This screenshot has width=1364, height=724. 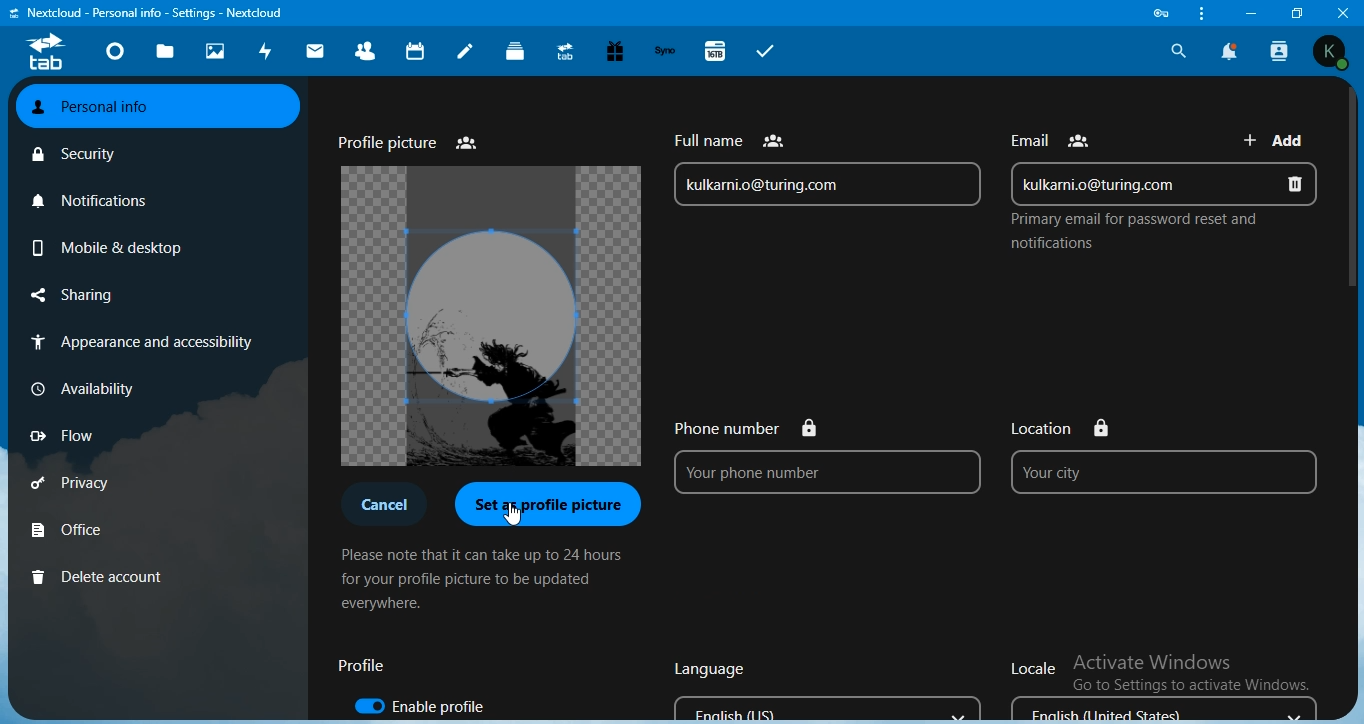 I want to click on privacy, so click(x=76, y=484).